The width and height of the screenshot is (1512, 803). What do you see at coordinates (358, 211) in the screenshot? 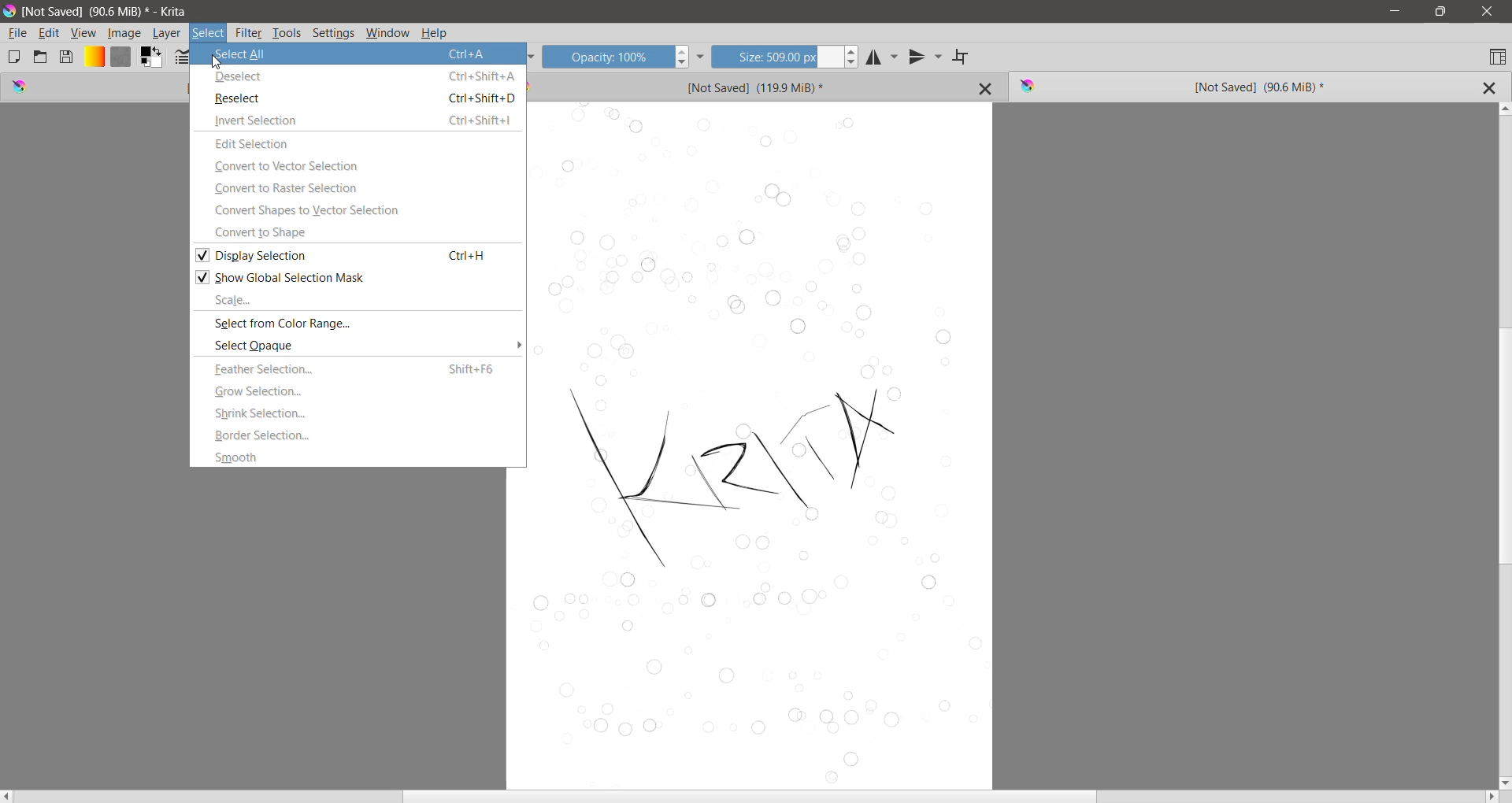
I see `Convert Shape to Vector Selection` at bounding box center [358, 211].